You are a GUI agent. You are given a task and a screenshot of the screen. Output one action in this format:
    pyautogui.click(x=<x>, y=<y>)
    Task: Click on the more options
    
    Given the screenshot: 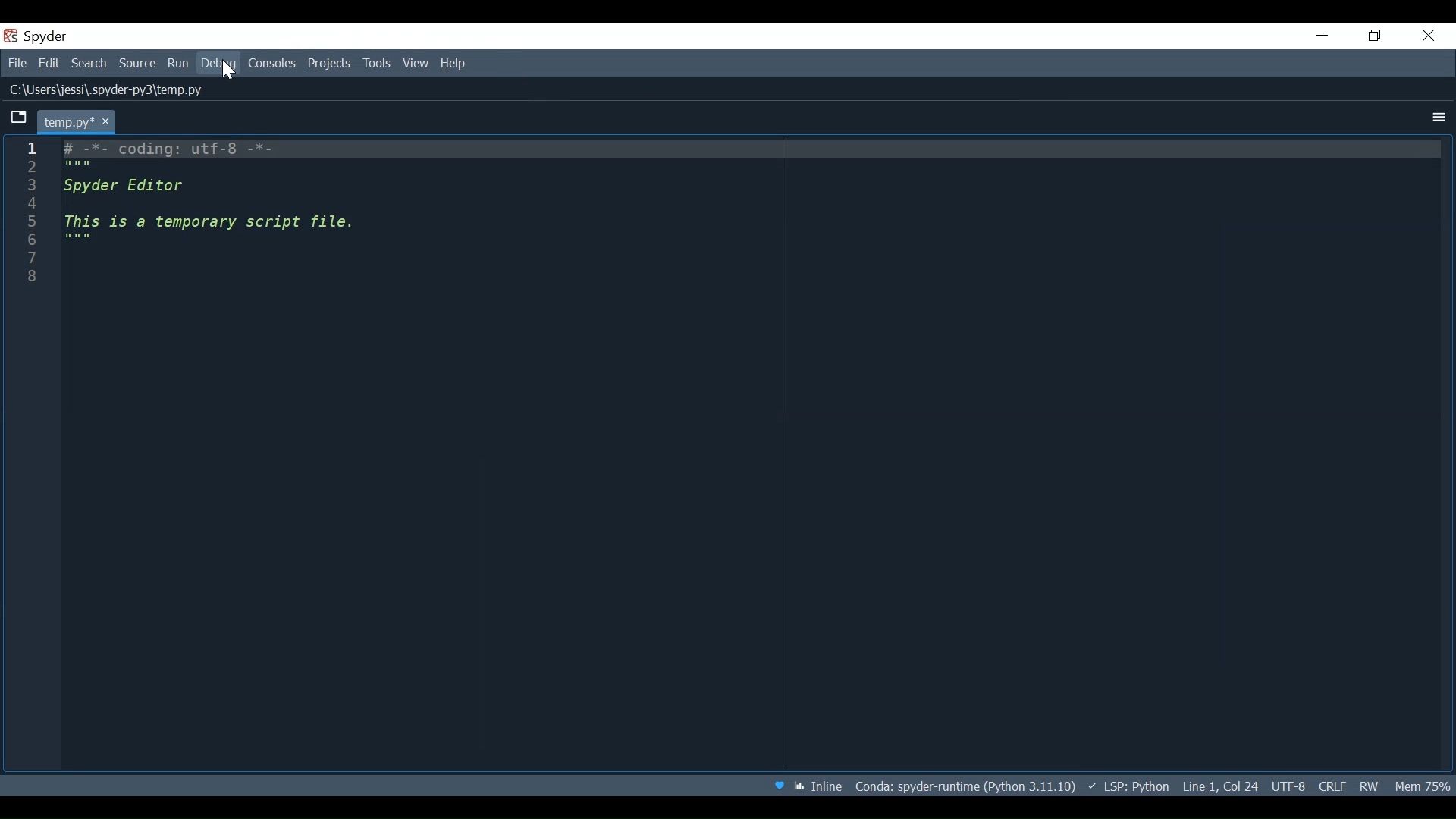 What is the action you would take?
    pyautogui.click(x=1436, y=117)
    